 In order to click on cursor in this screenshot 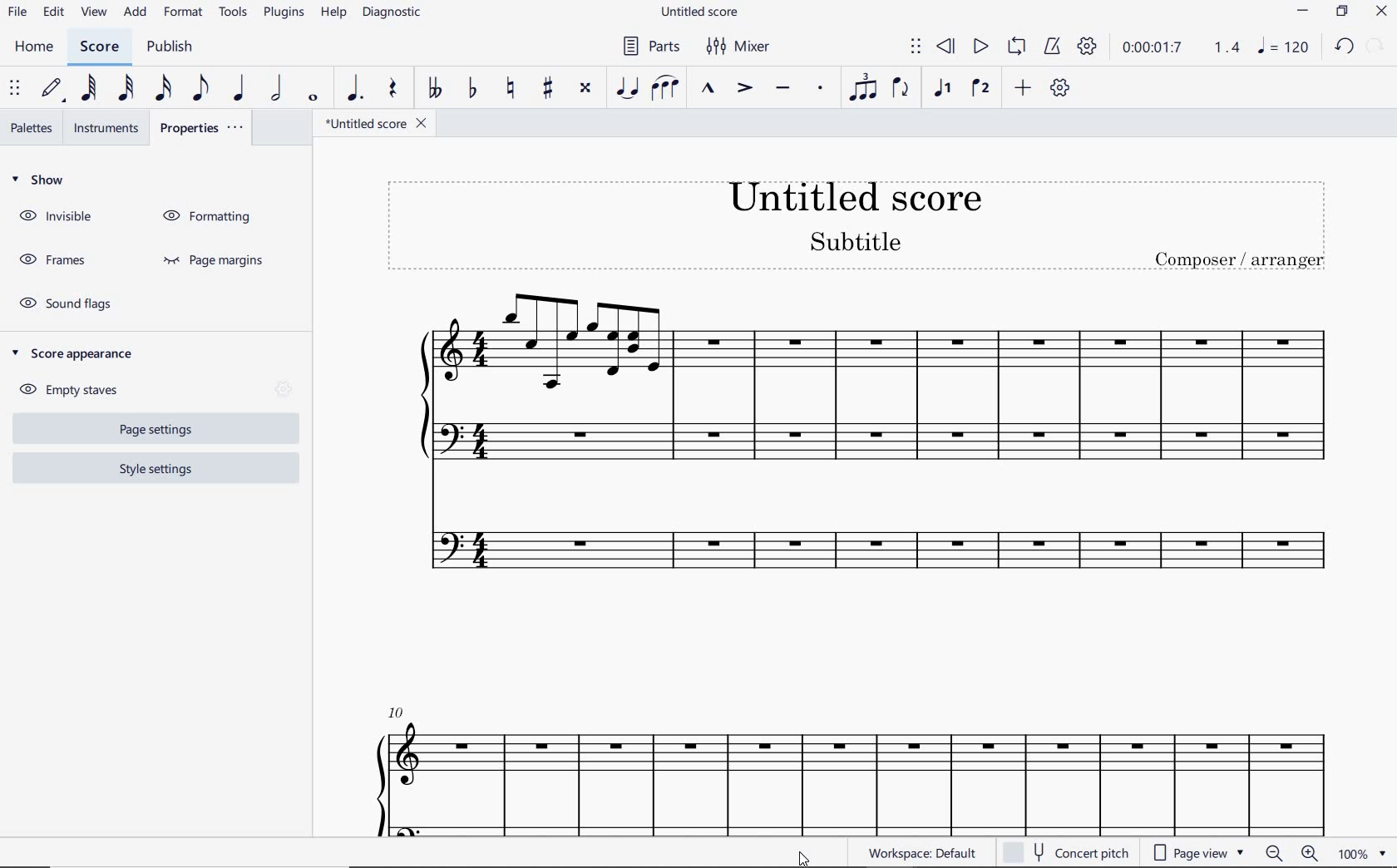, I will do `click(806, 854)`.